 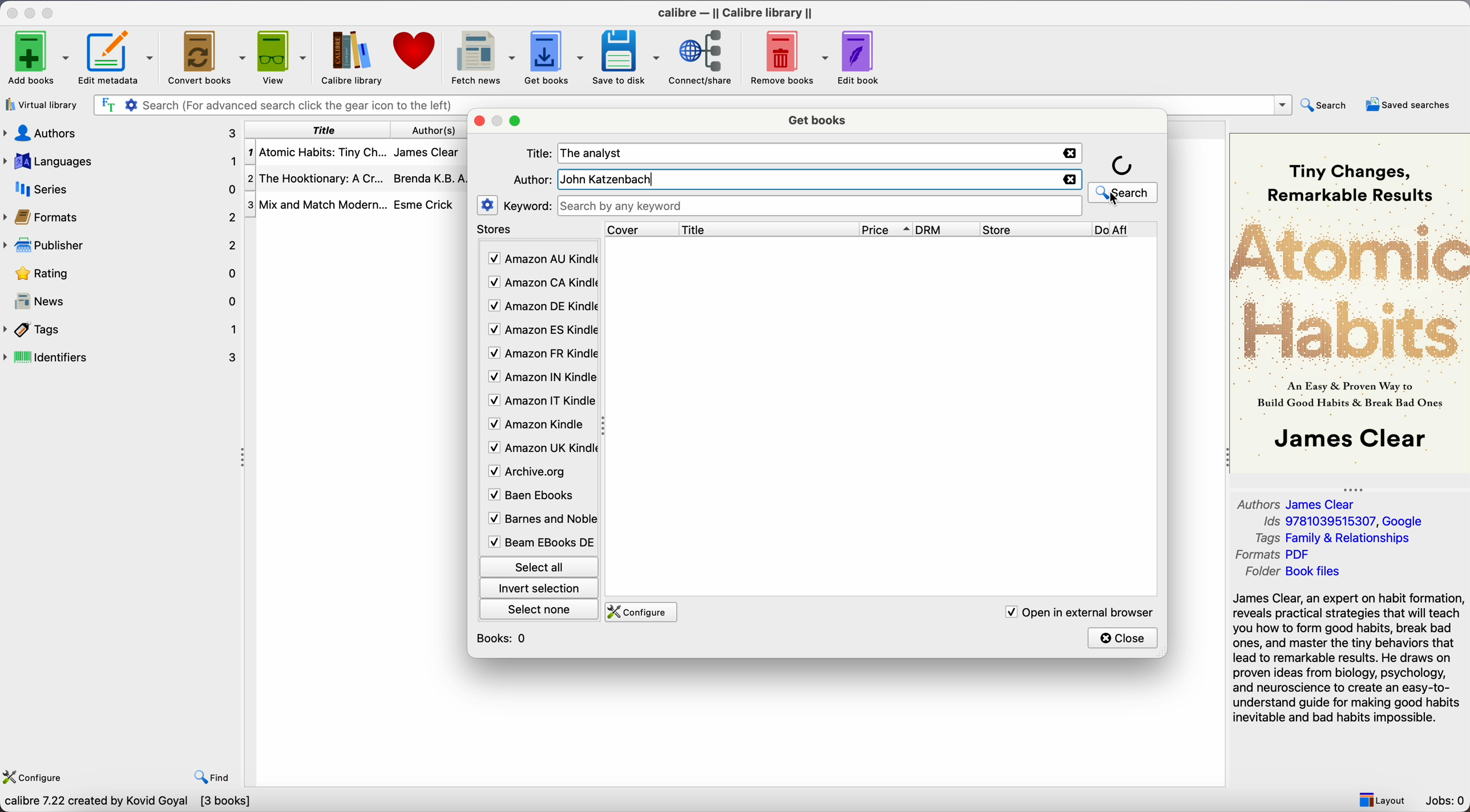 What do you see at coordinates (1070, 153) in the screenshot?
I see `clear` at bounding box center [1070, 153].